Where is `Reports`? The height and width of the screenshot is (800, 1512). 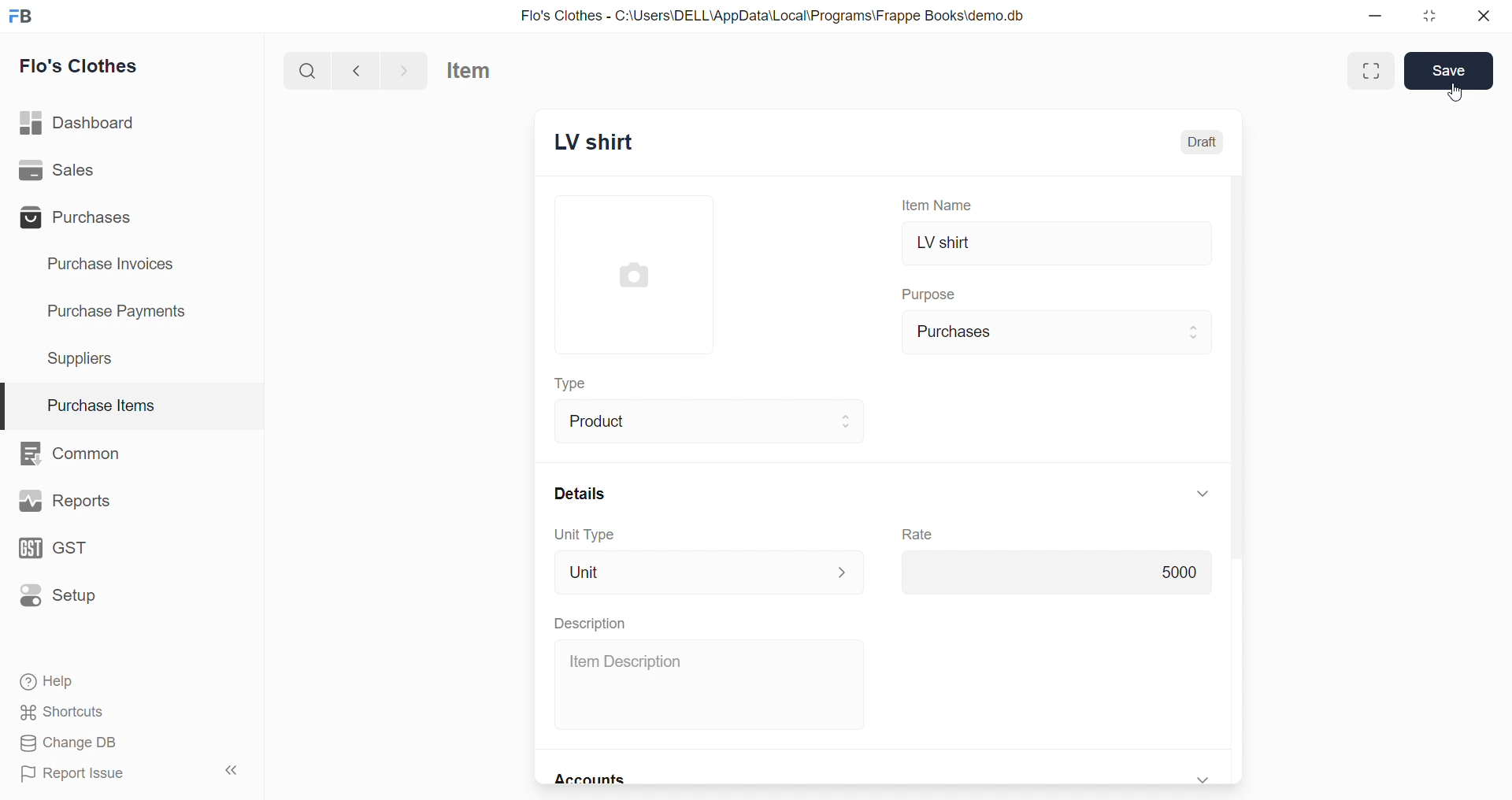
Reports is located at coordinates (66, 501).